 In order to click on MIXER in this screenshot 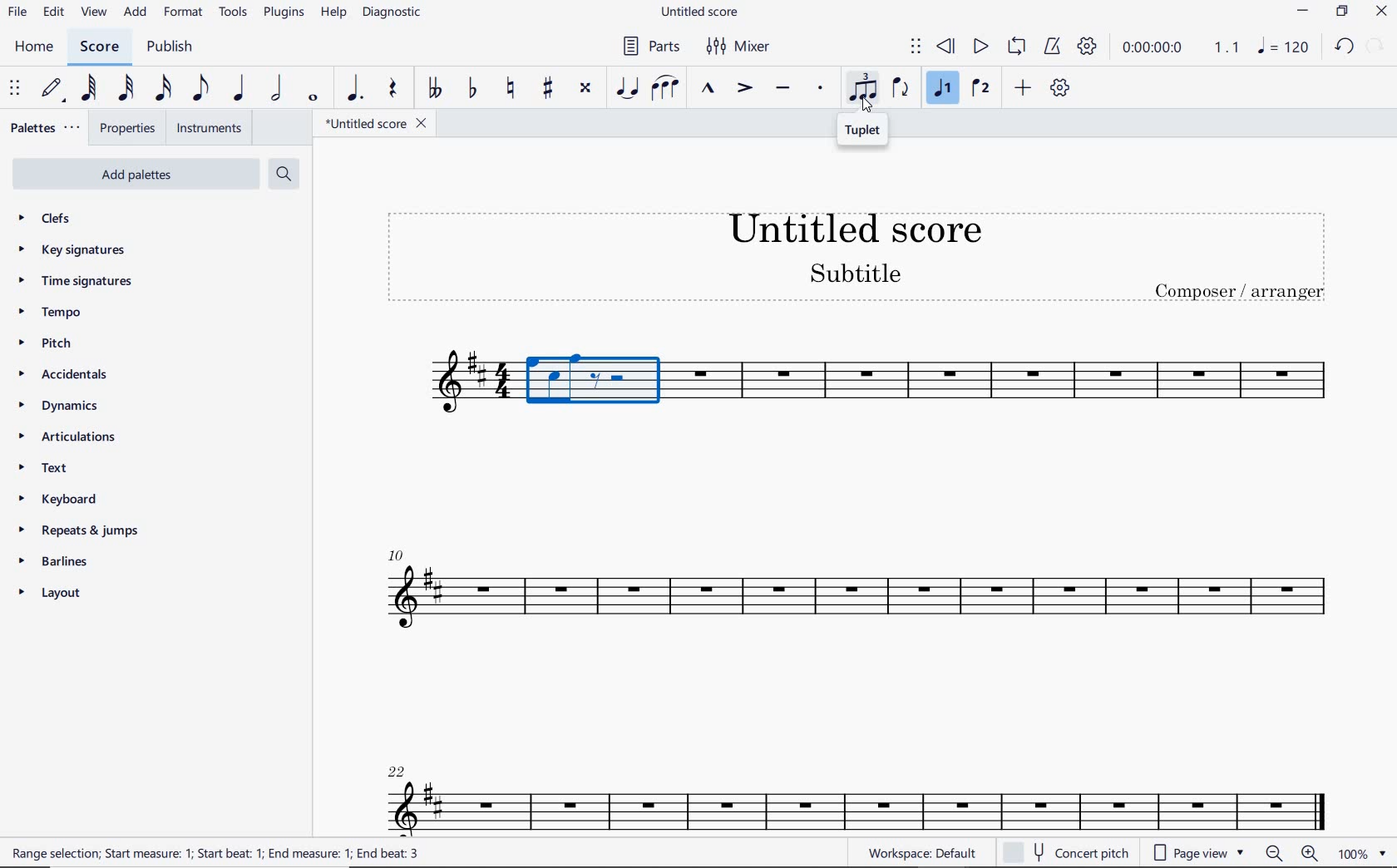, I will do `click(743, 45)`.